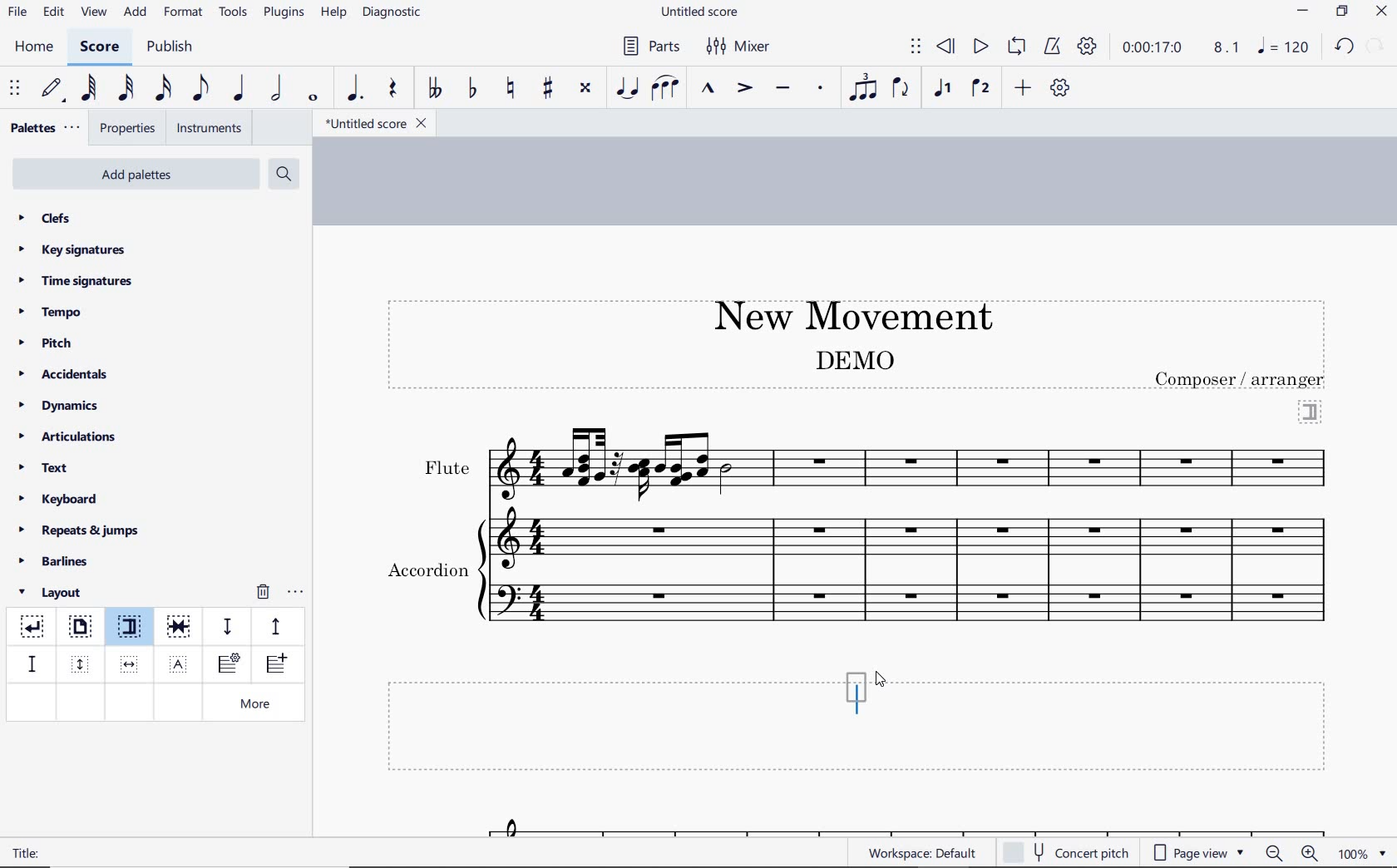  What do you see at coordinates (744, 88) in the screenshot?
I see `accent` at bounding box center [744, 88].